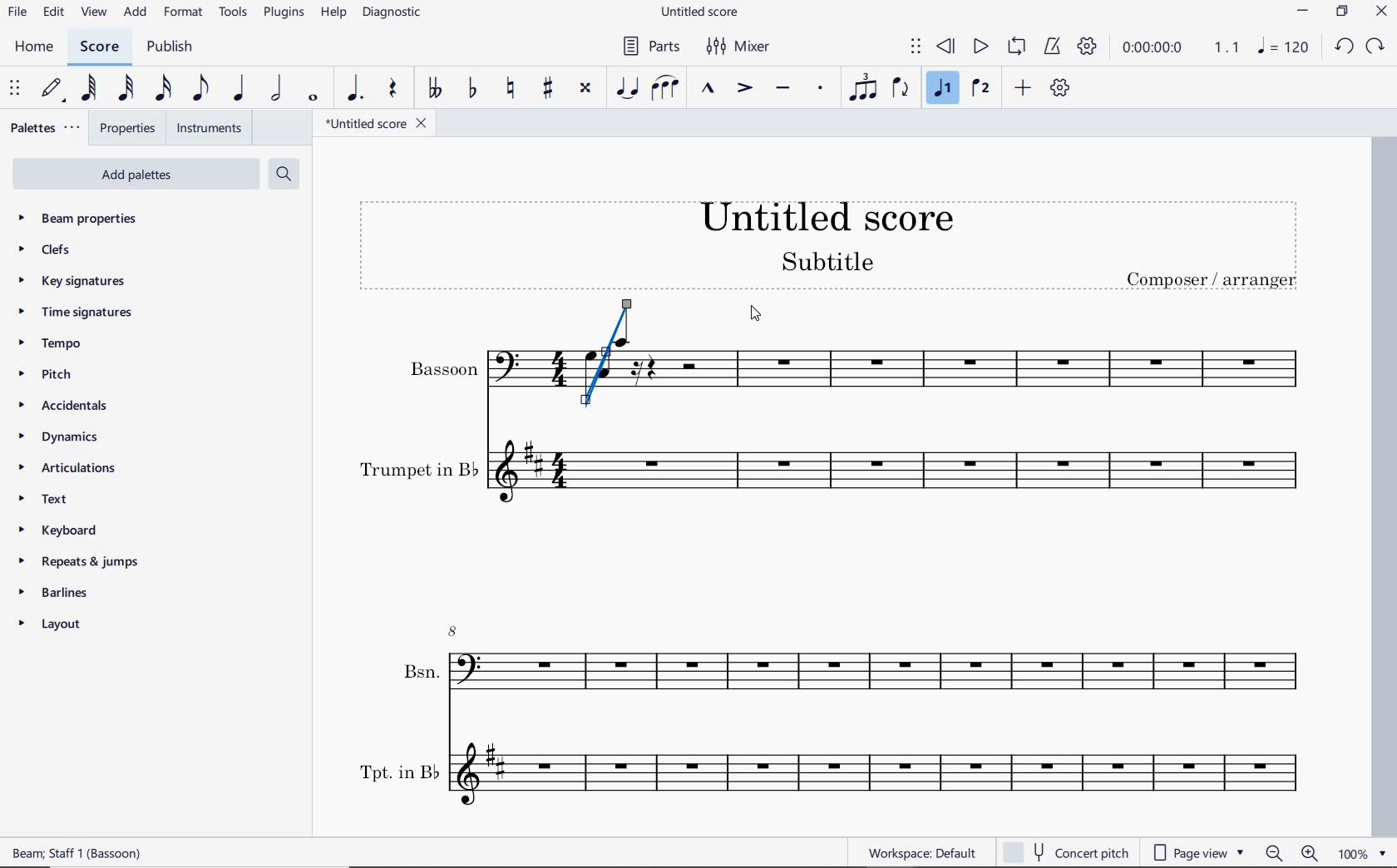  What do you see at coordinates (48, 374) in the screenshot?
I see `pitch` at bounding box center [48, 374].